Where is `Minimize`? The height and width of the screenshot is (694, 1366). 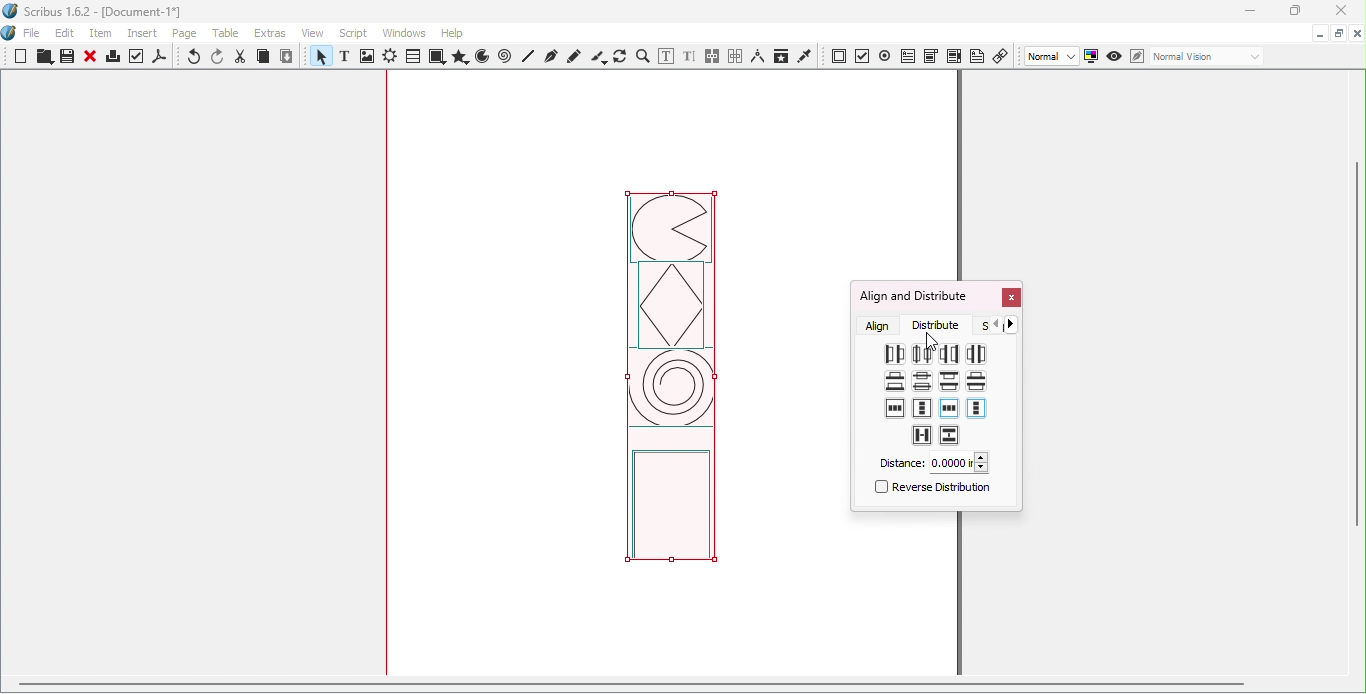 Minimize is located at coordinates (1249, 12).